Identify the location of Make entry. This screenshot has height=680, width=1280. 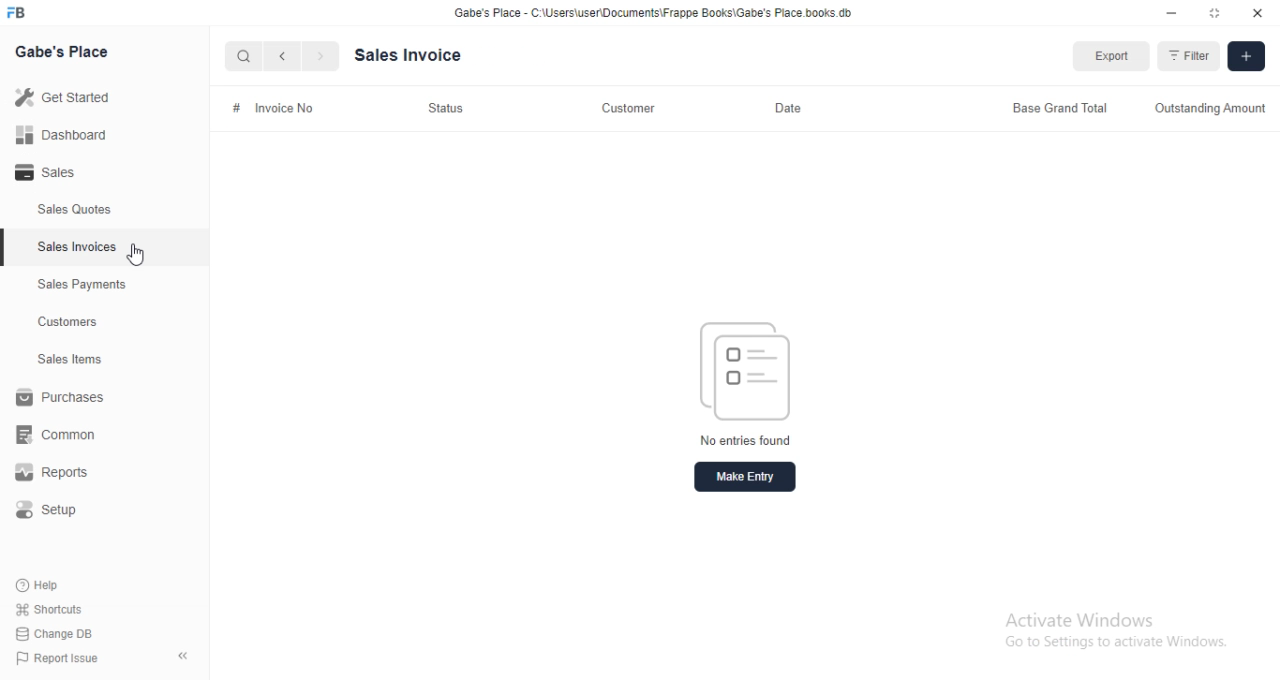
(745, 477).